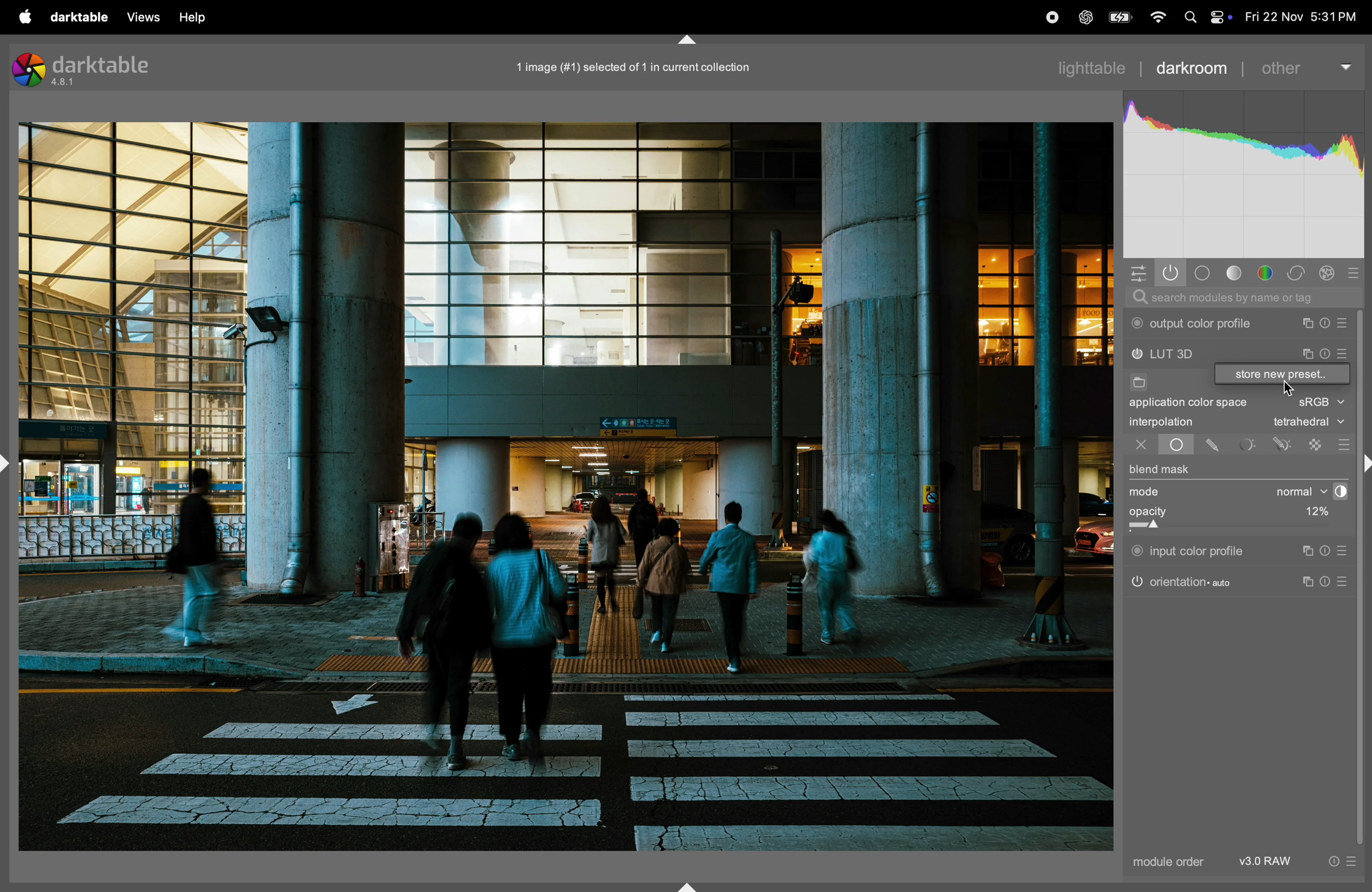 This screenshot has width=1372, height=892. Describe the element at coordinates (1148, 493) in the screenshot. I see `mode` at that location.